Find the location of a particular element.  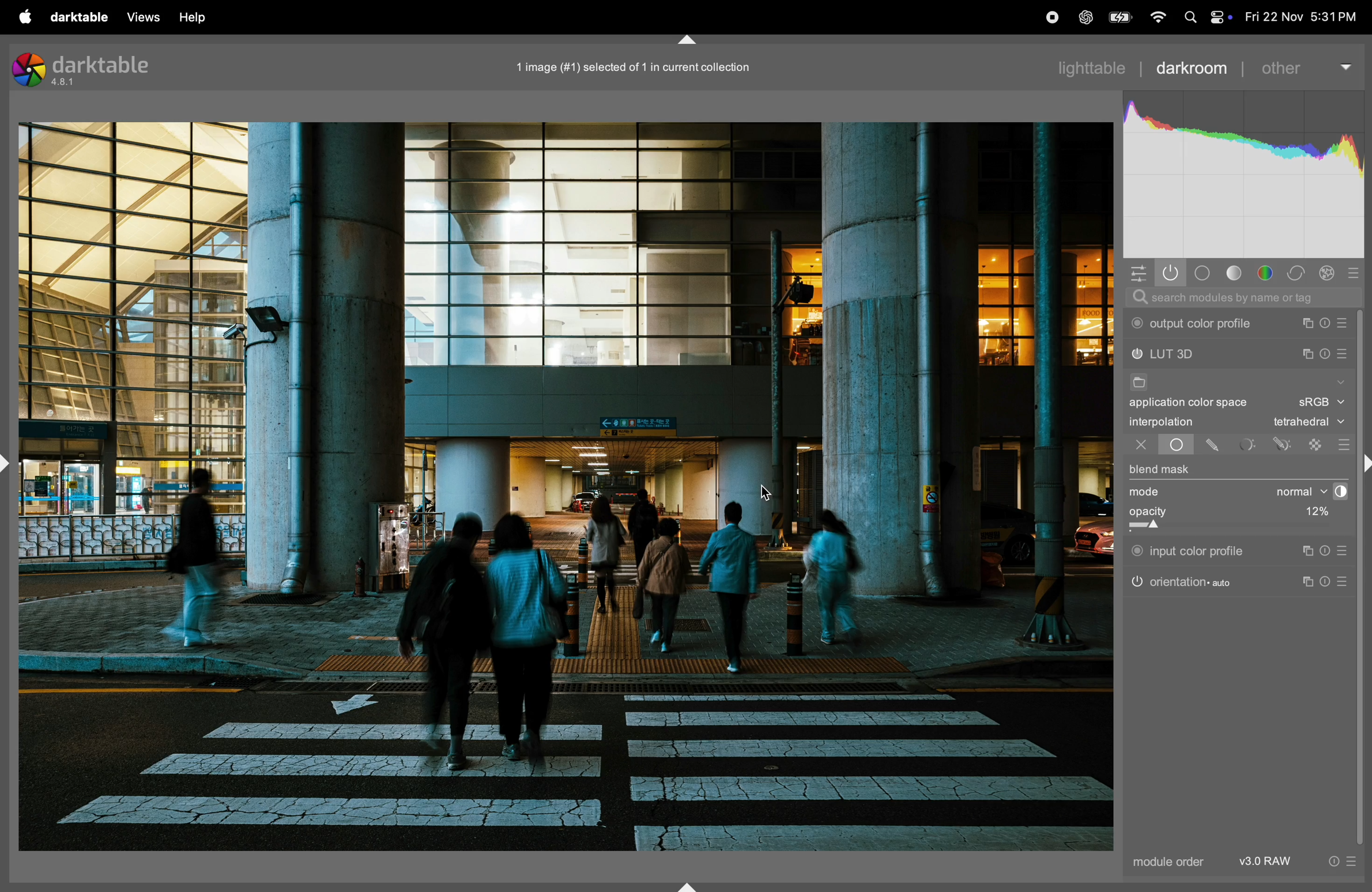

quick access panel is located at coordinates (1136, 271).